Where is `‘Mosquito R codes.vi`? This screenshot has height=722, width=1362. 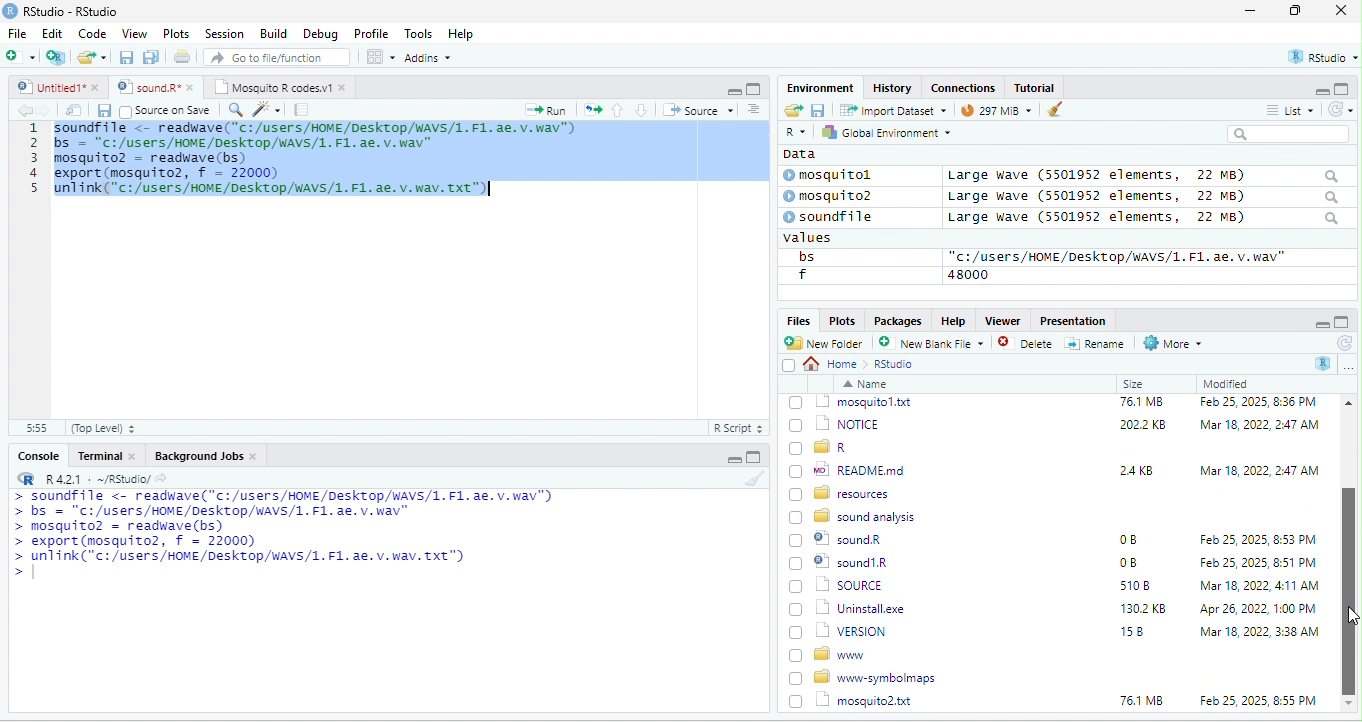
‘Mosquito R codes.vi is located at coordinates (150, 87).